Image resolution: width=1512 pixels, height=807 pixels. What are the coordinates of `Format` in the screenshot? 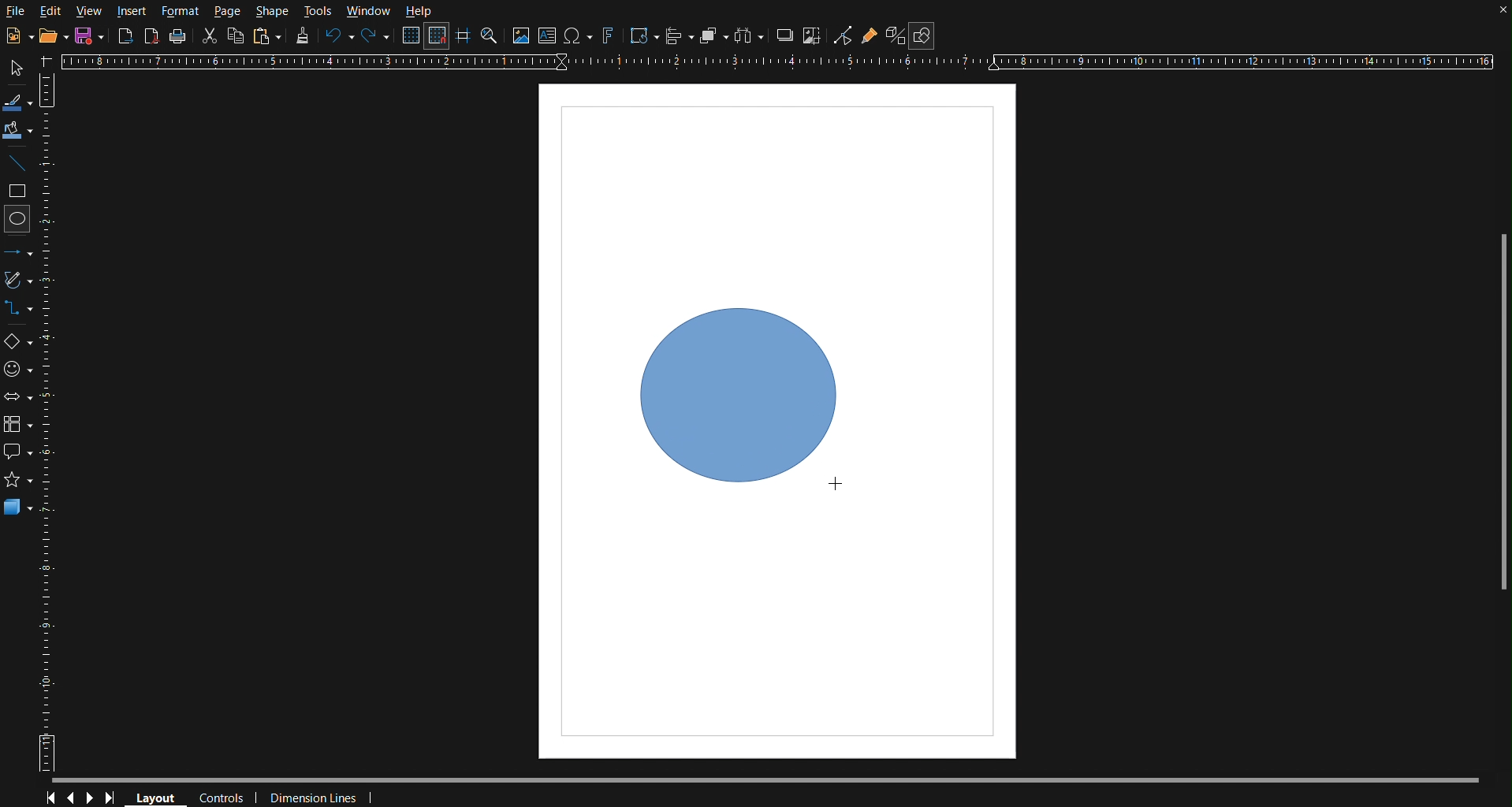 It's located at (184, 9).